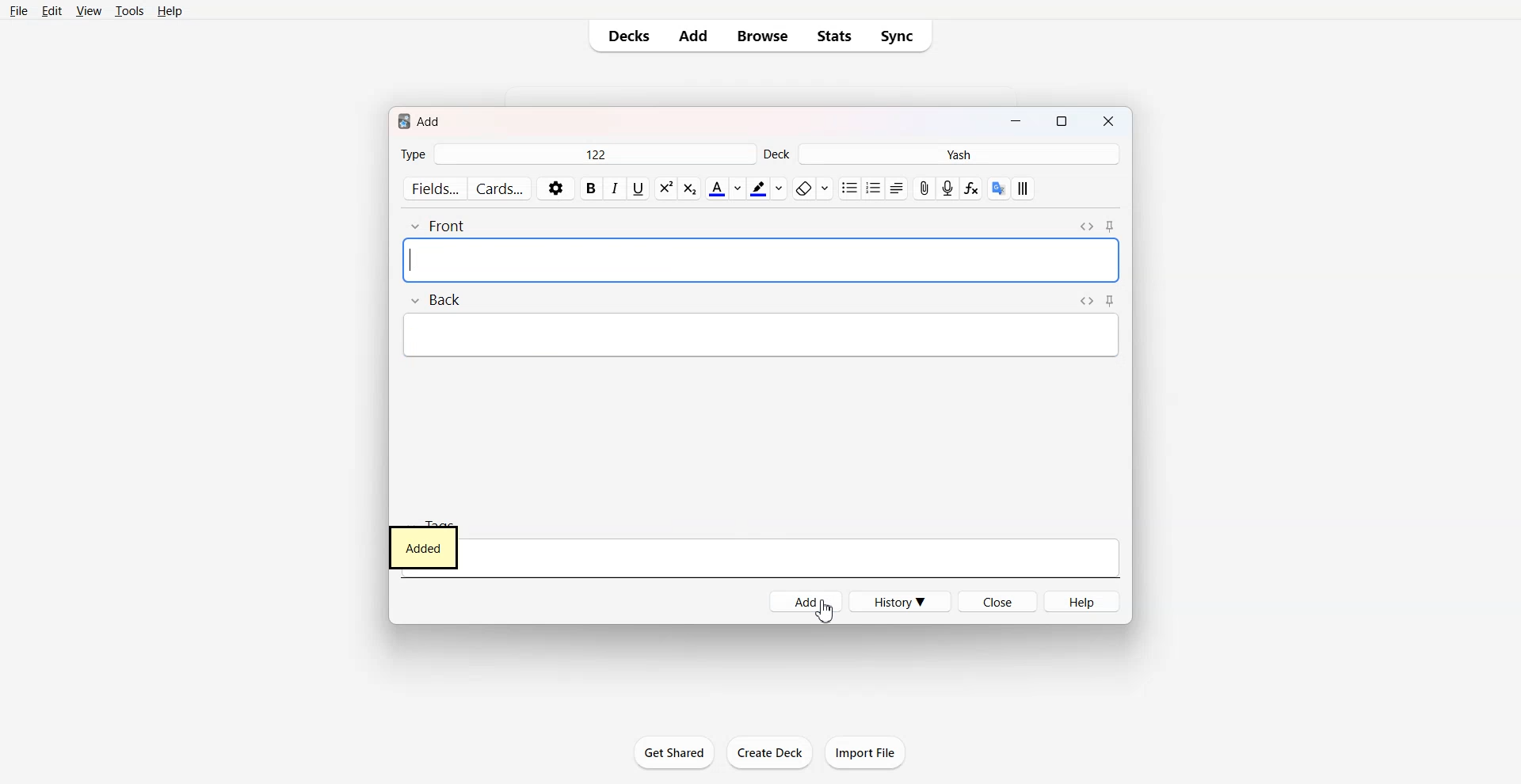 Image resolution: width=1521 pixels, height=784 pixels. I want to click on File, so click(19, 11).